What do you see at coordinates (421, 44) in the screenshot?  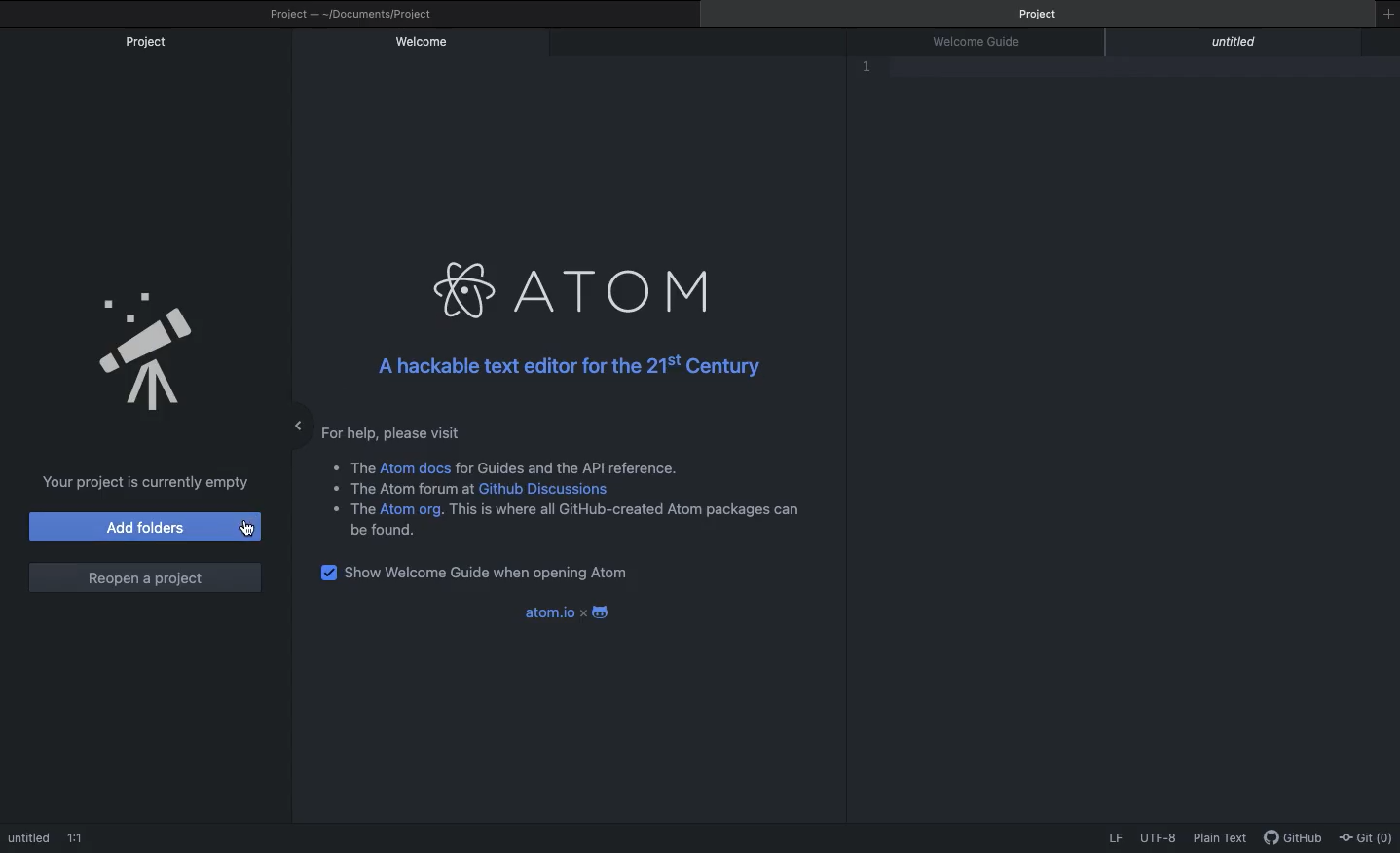 I see `Welcome` at bounding box center [421, 44].